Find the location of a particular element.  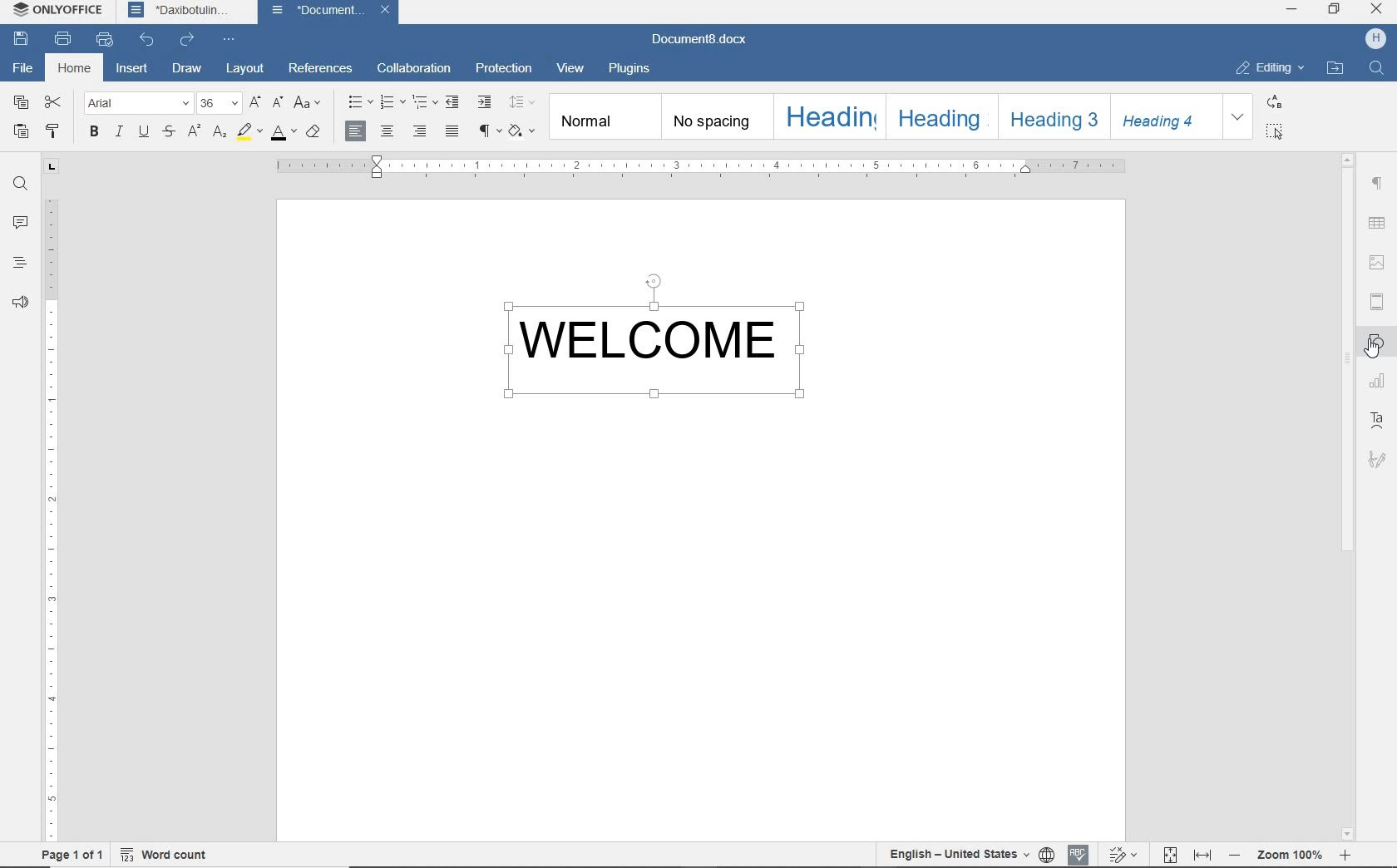

PAGE 1 OF 1 is located at coordinates (72, 855).